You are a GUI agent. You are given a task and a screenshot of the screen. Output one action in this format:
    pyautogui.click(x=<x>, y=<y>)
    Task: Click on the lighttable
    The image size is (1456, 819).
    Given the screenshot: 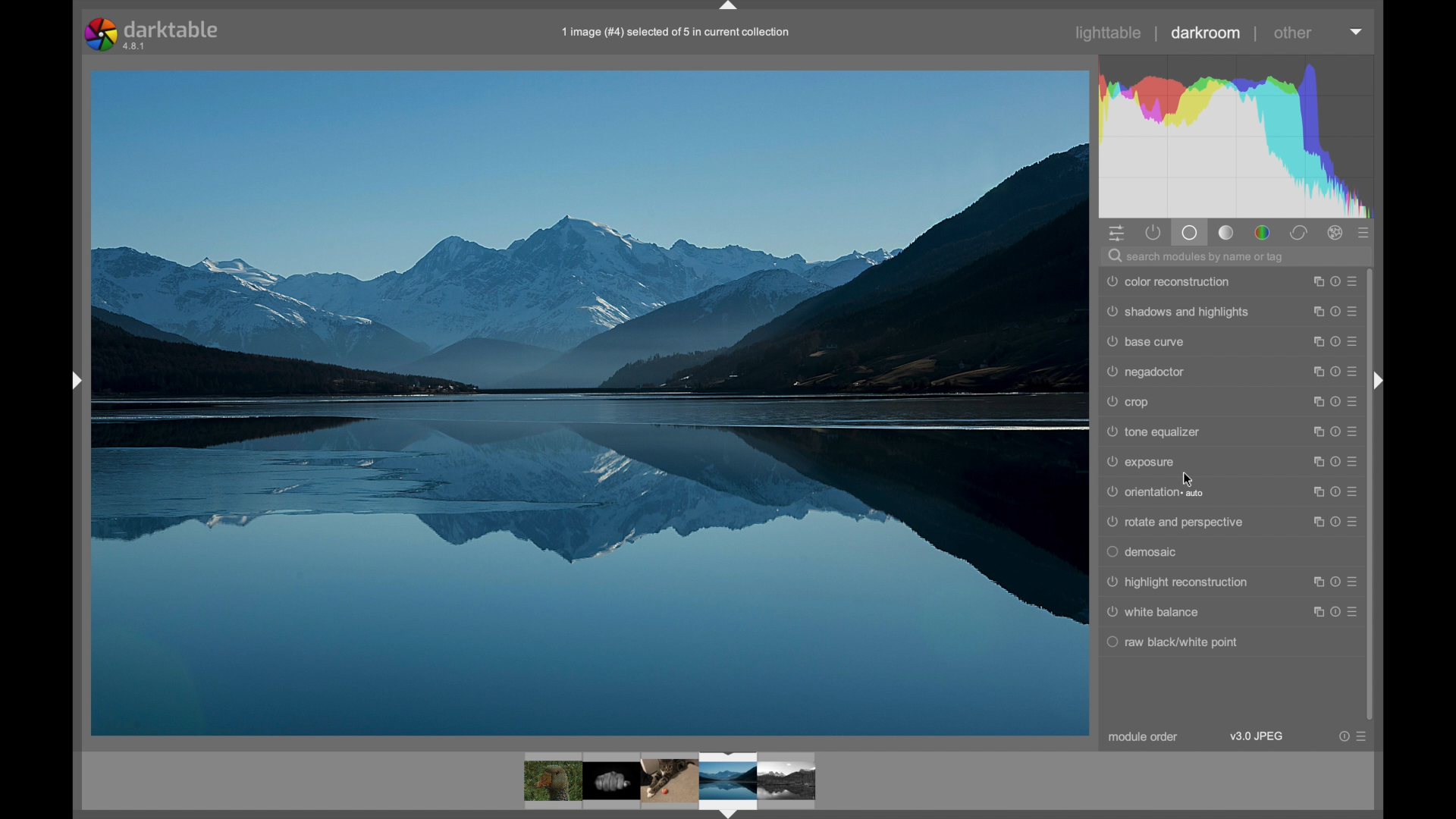 What is the action you would take?
    pyautogui.click(x=1109, y=33)
    